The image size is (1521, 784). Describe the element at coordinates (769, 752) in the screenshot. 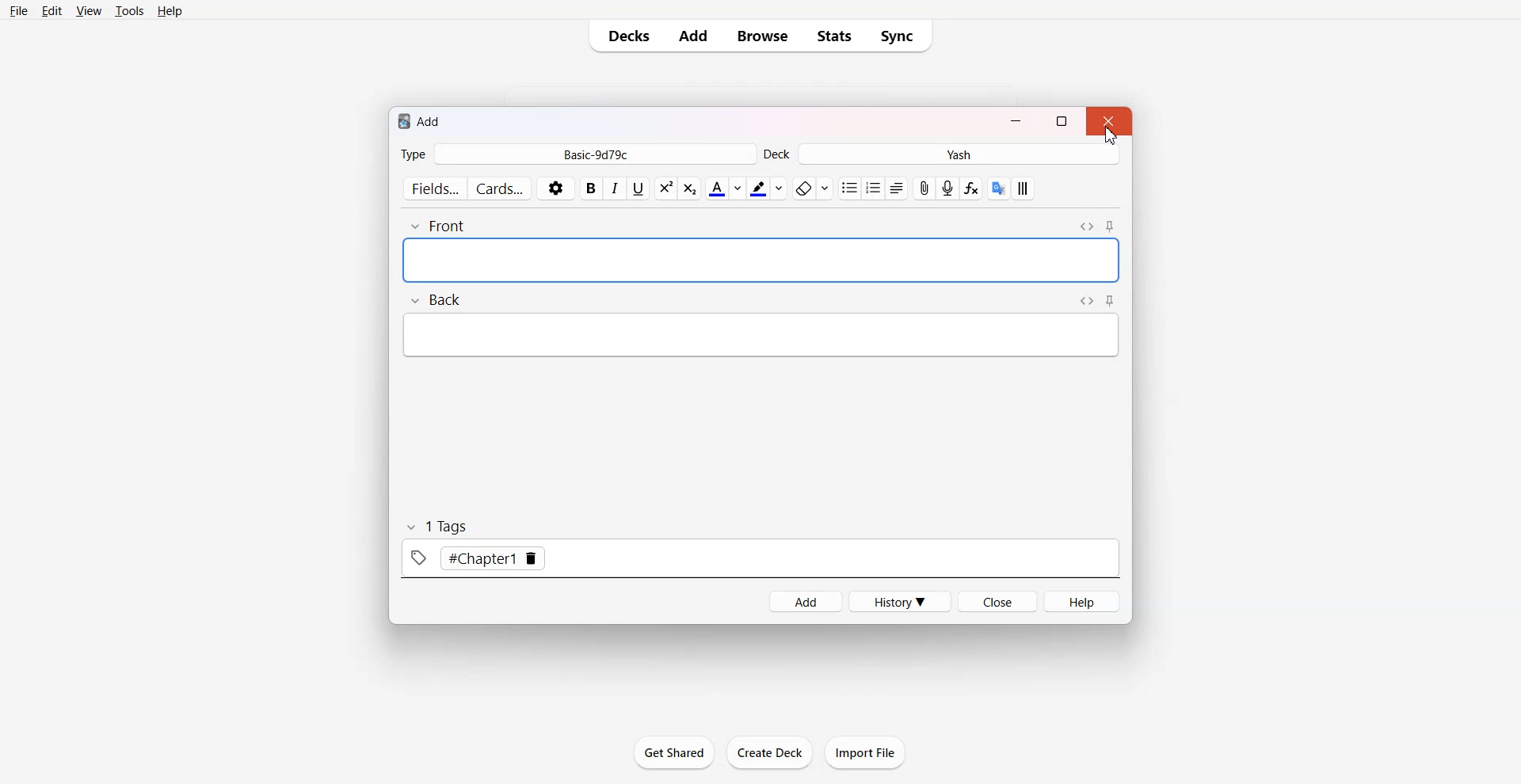

I see `Create Deck` at that location.